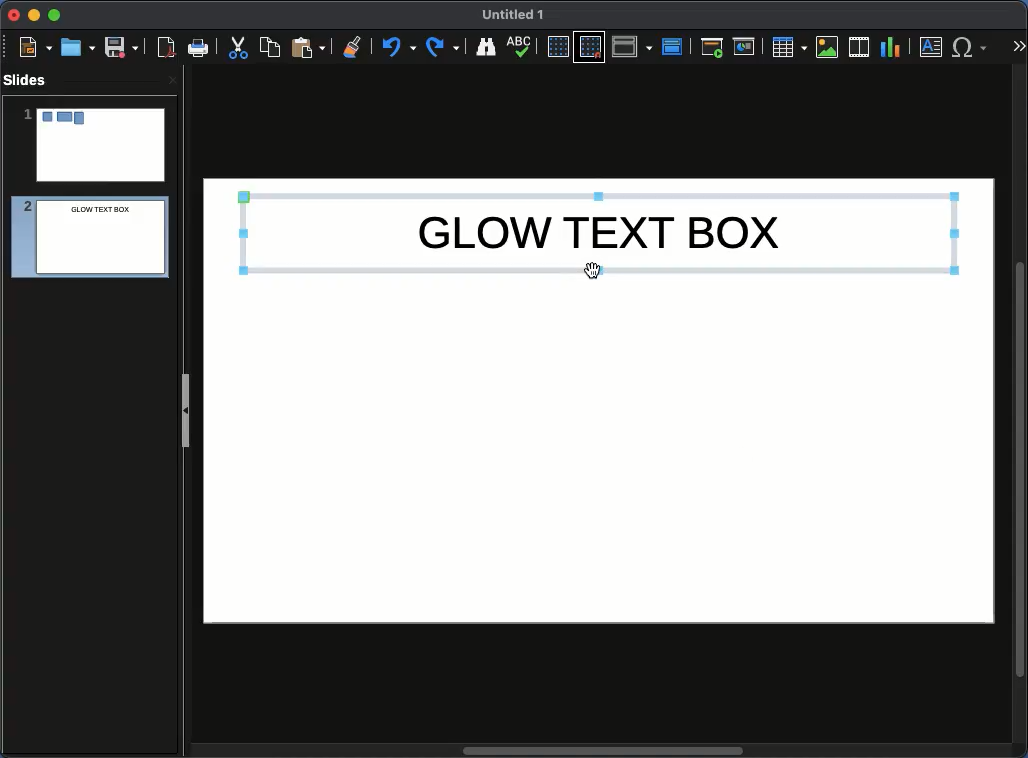 The height and width of the screenshot is (758, 1028). Describe the element at coordinates (123, 46) in the screenshot. I see `Save` at that location.